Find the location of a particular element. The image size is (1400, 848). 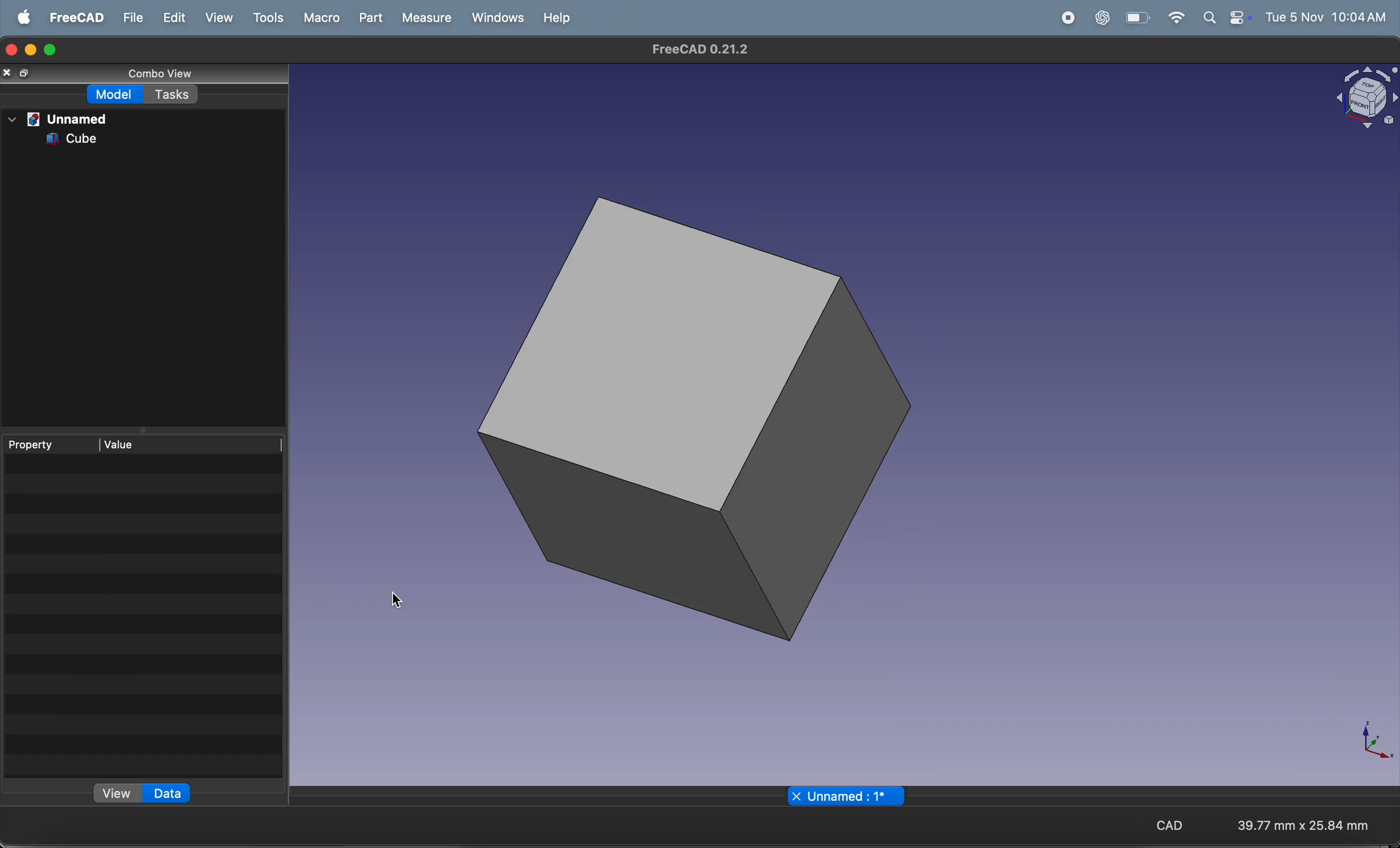

object view is located at coordinates (1361, 98).